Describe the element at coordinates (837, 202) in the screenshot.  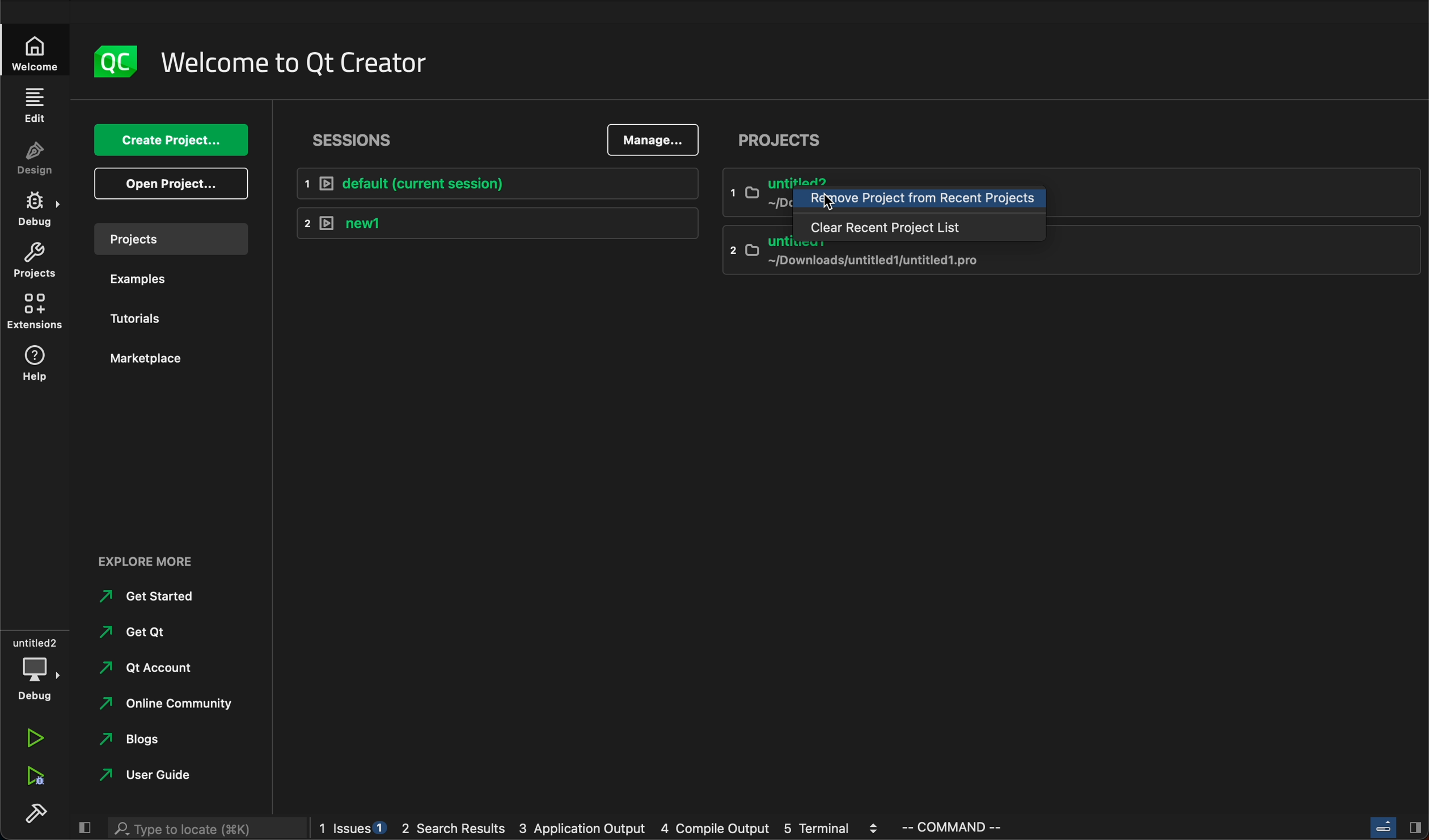
I see `cursor` at that location.